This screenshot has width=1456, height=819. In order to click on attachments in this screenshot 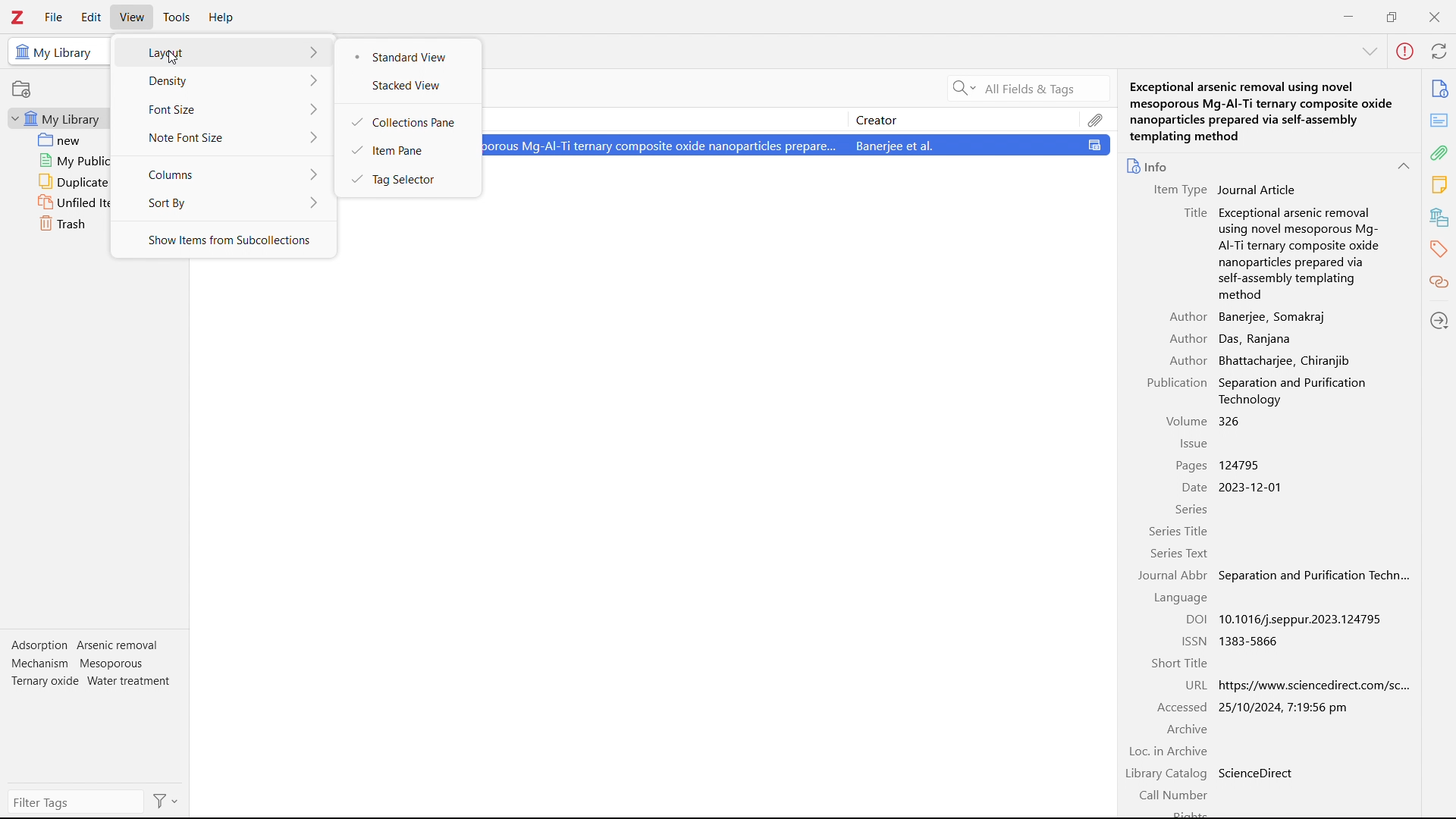, I will do `click(1097, 118)`.